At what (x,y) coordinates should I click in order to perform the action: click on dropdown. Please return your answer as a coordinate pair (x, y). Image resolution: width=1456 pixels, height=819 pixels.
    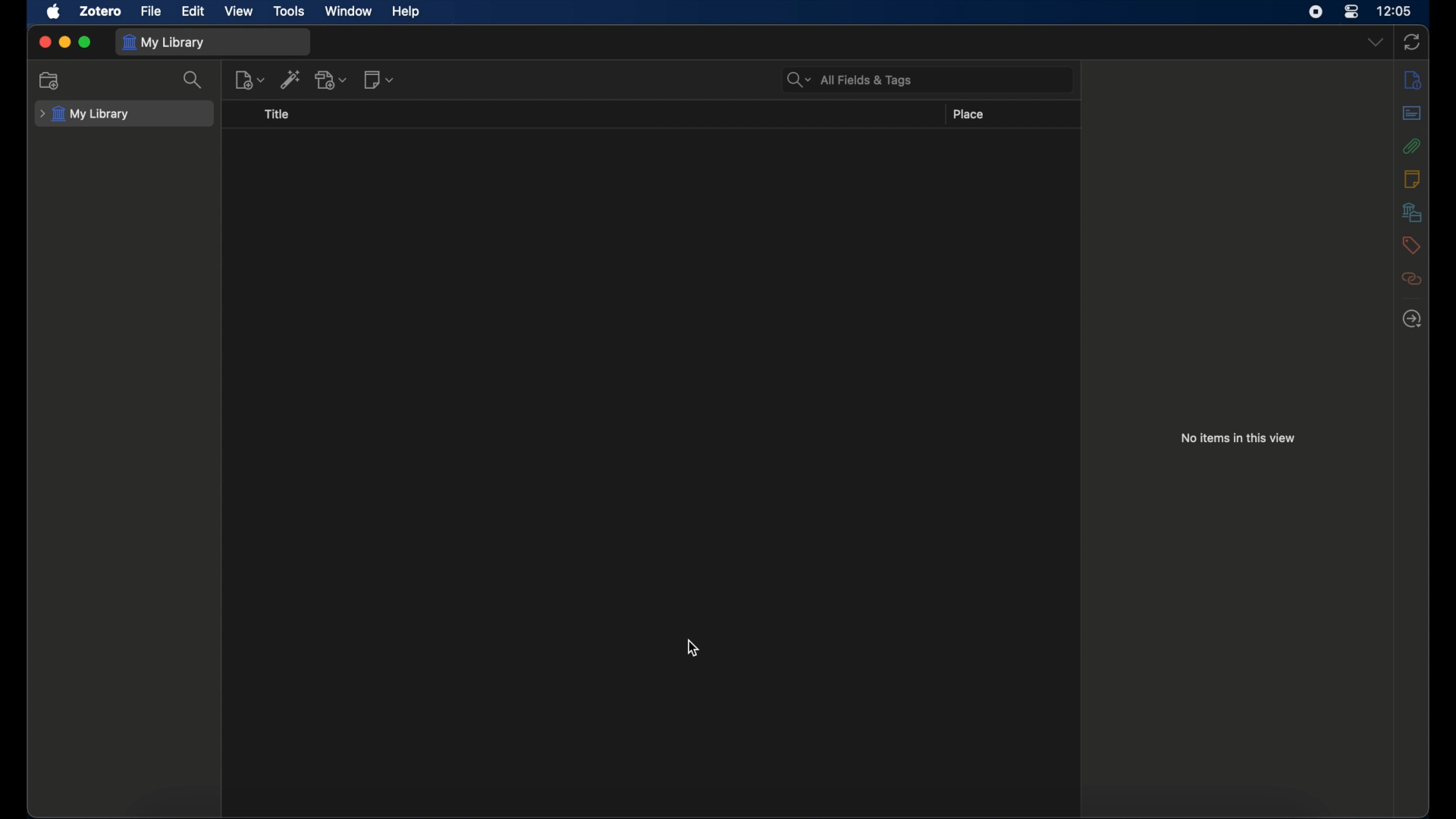
    Looking at the image, I should click on (1376, 42).